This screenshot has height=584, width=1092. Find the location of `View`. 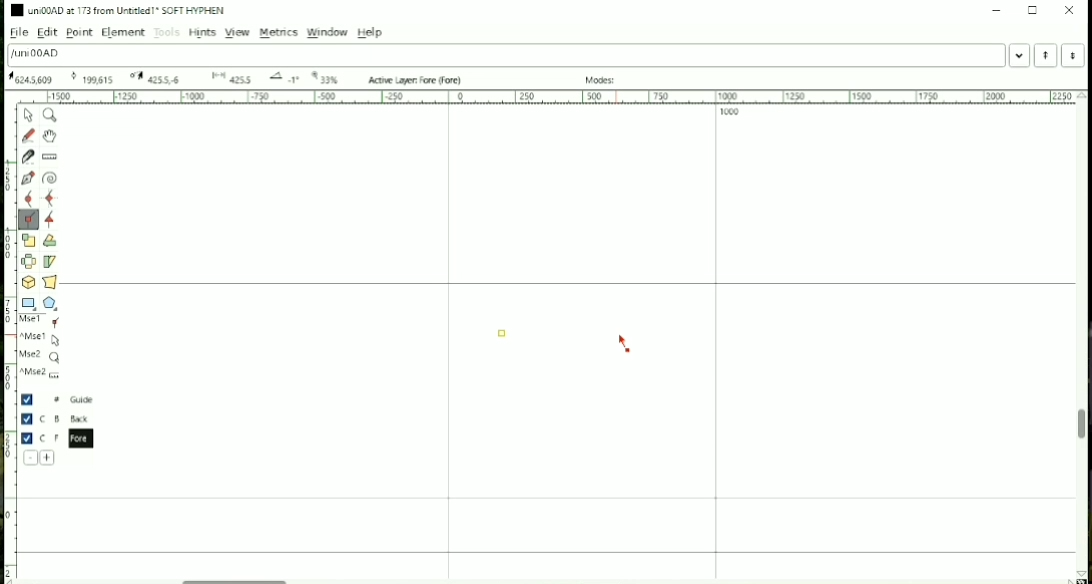

View is located at coordinates (236, 32).